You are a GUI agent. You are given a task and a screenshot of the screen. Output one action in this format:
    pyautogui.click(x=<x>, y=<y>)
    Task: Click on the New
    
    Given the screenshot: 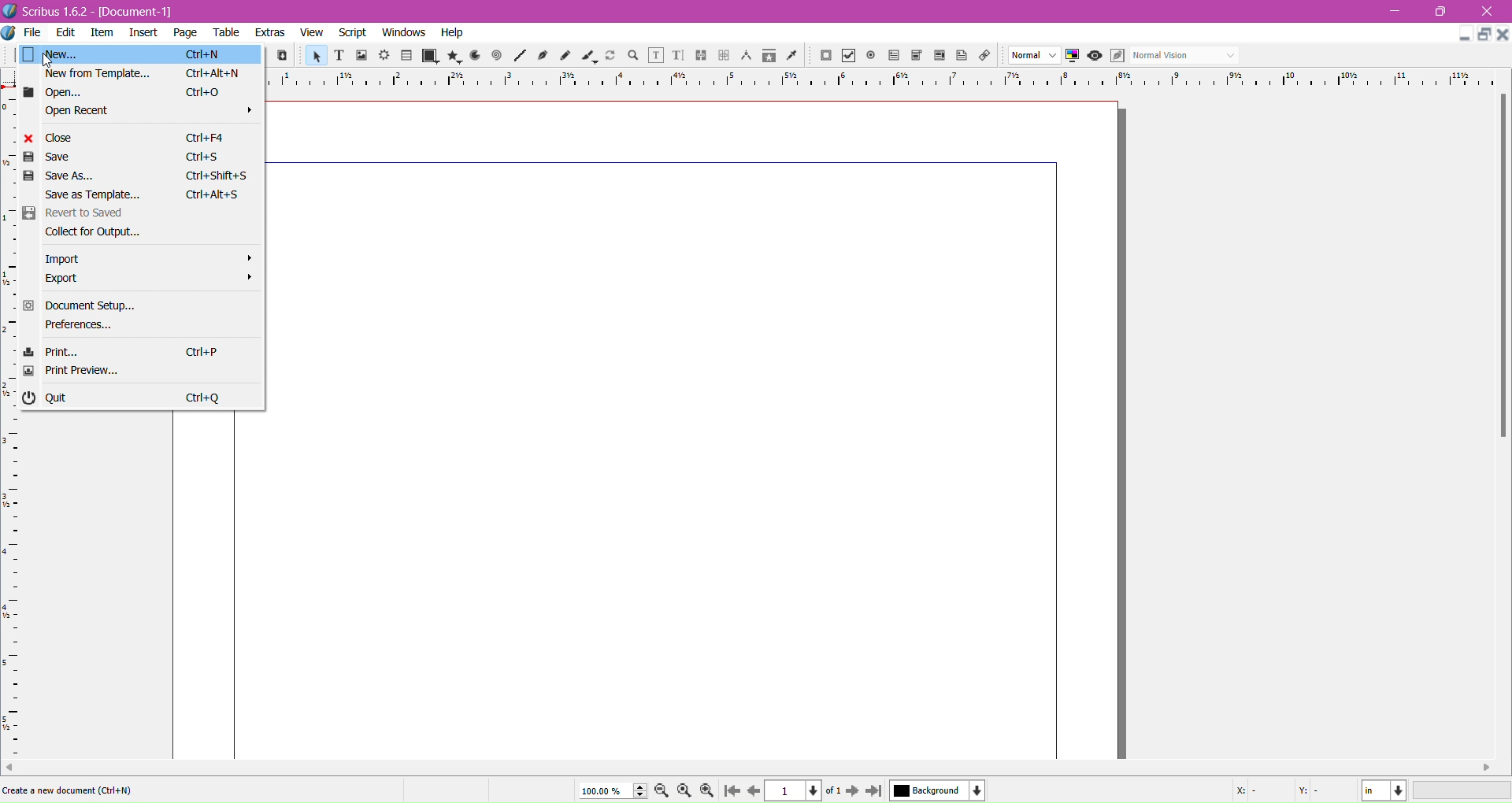 What is the action you would take?
    pyautogui.click(x=142, y=54)
    